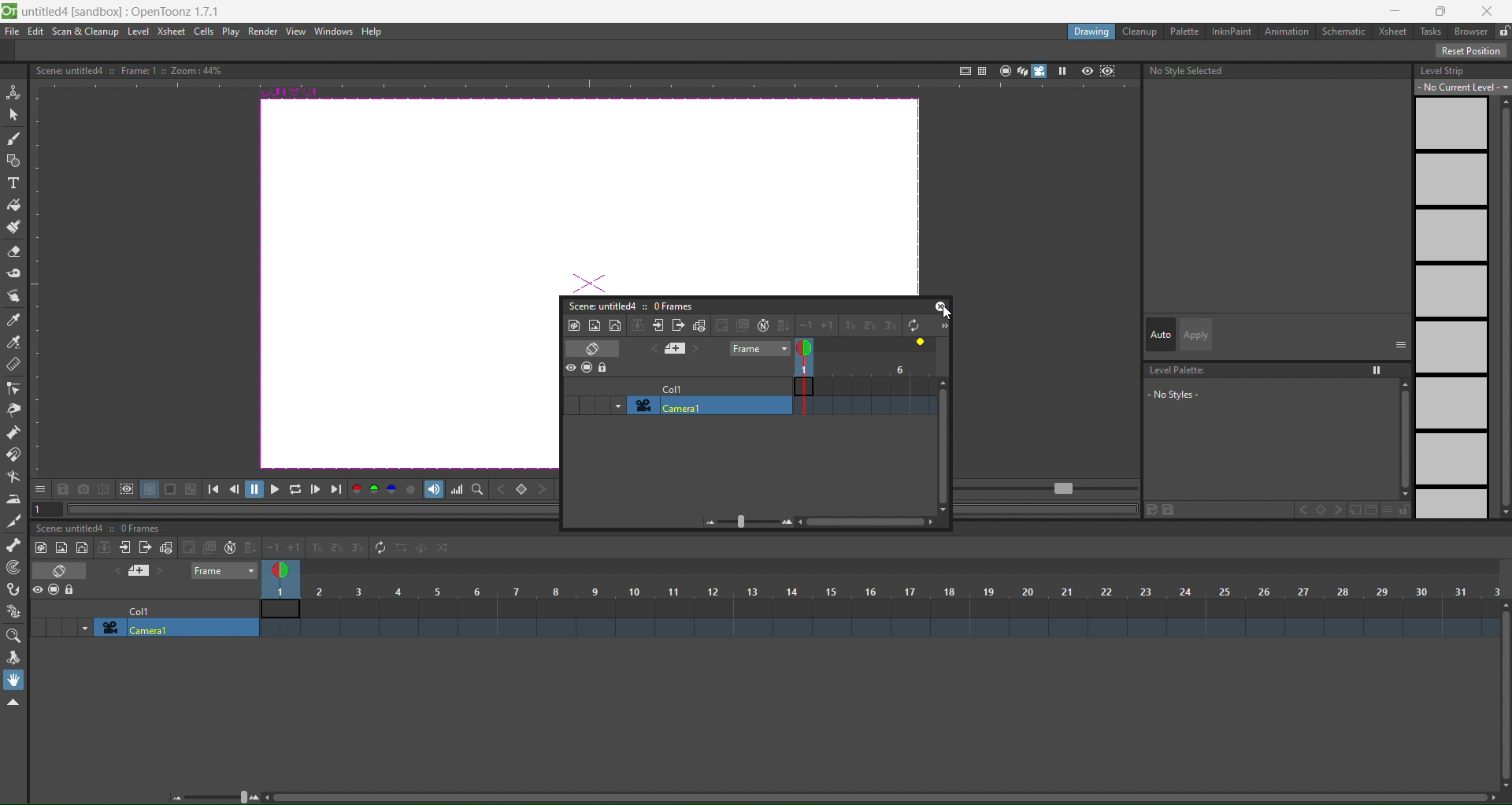 The width and height of the screenshot is (1512, 805). What do you see at coordinates (165, 547) in the screenshot?
I see `toggle edit in place` at bounding box center [165, 547].